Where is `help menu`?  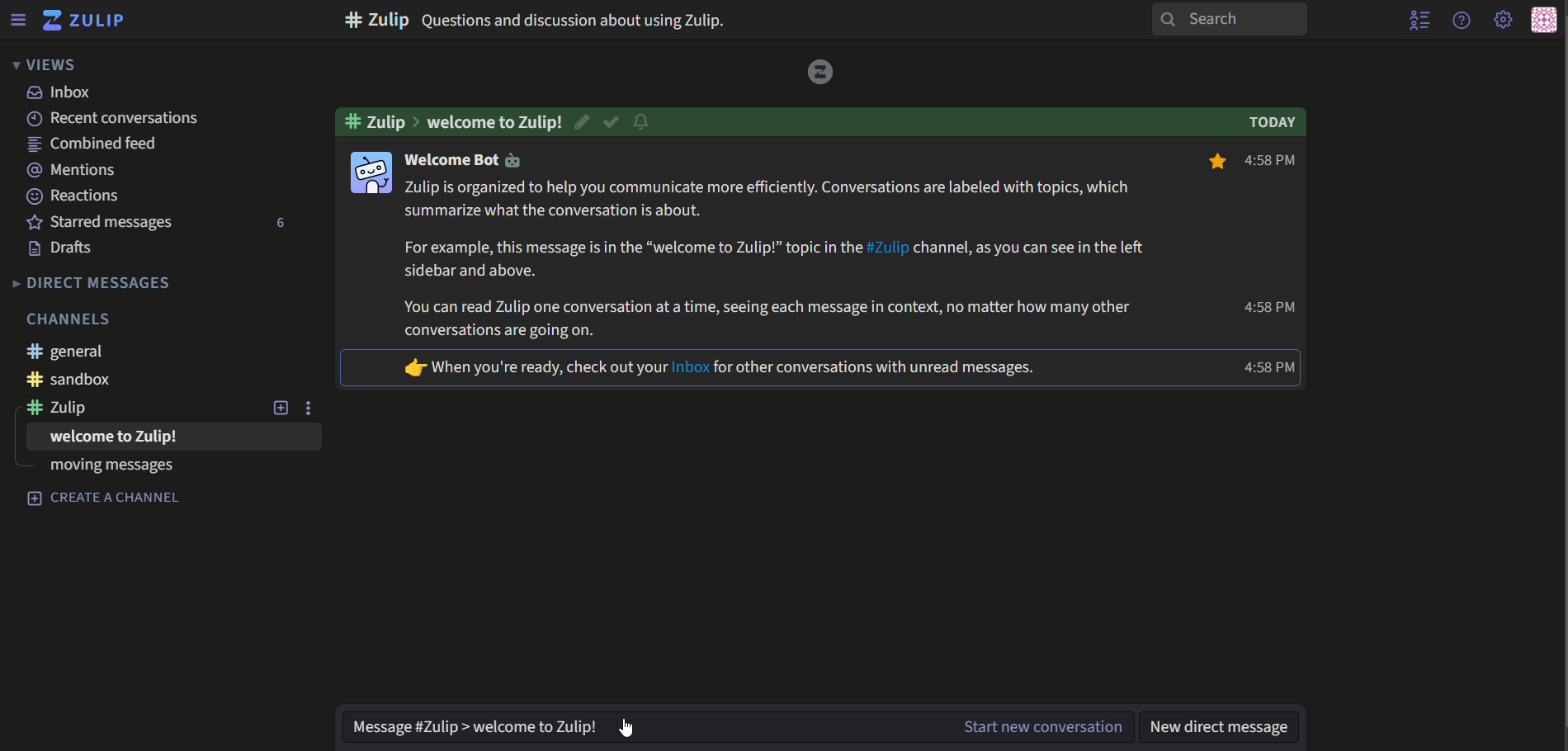
help menu is located at coordinates (1460, 19).